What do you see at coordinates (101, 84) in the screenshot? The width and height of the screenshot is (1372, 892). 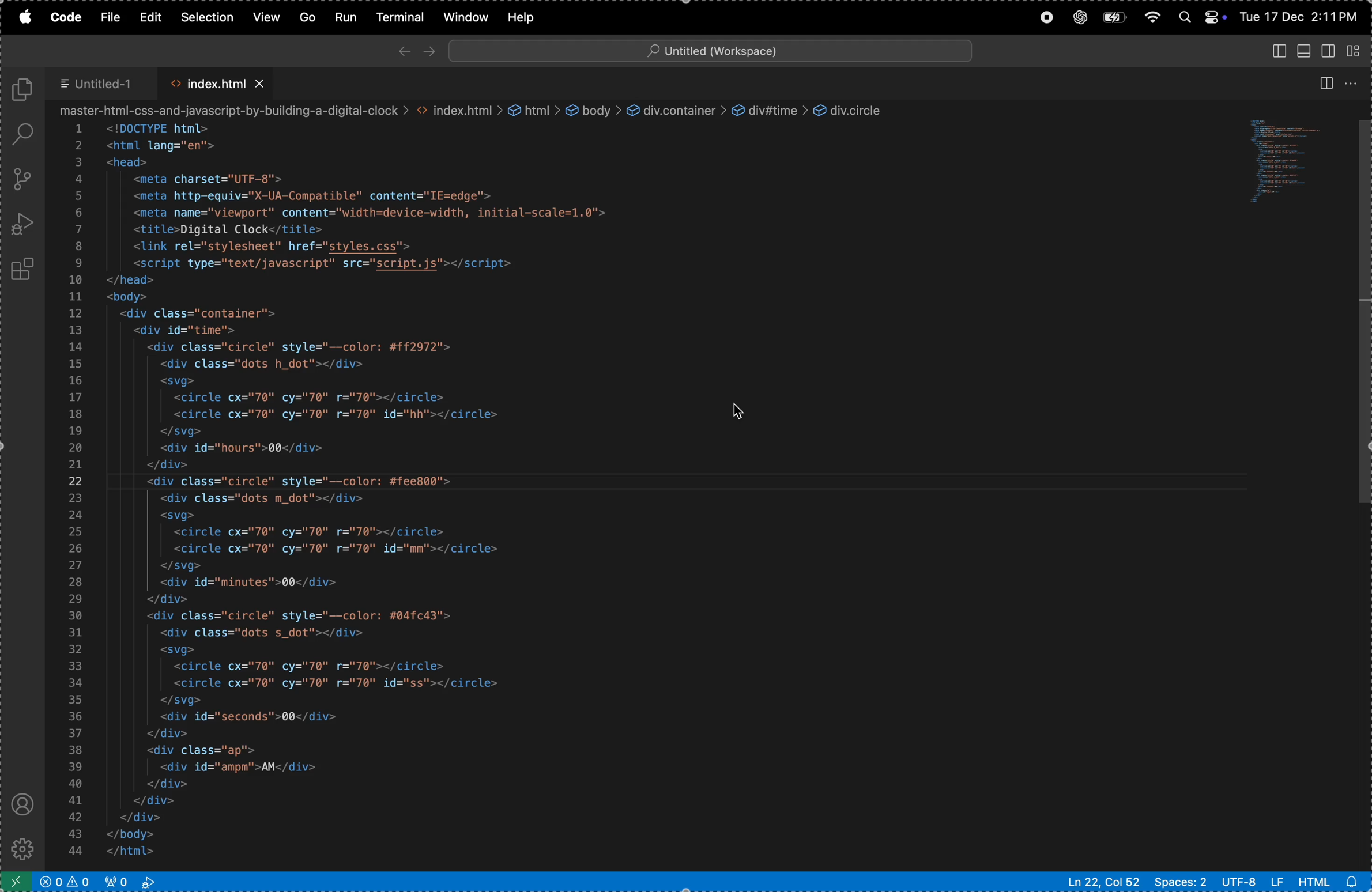 I see `untitled 1` at bounding box center [101, 84].